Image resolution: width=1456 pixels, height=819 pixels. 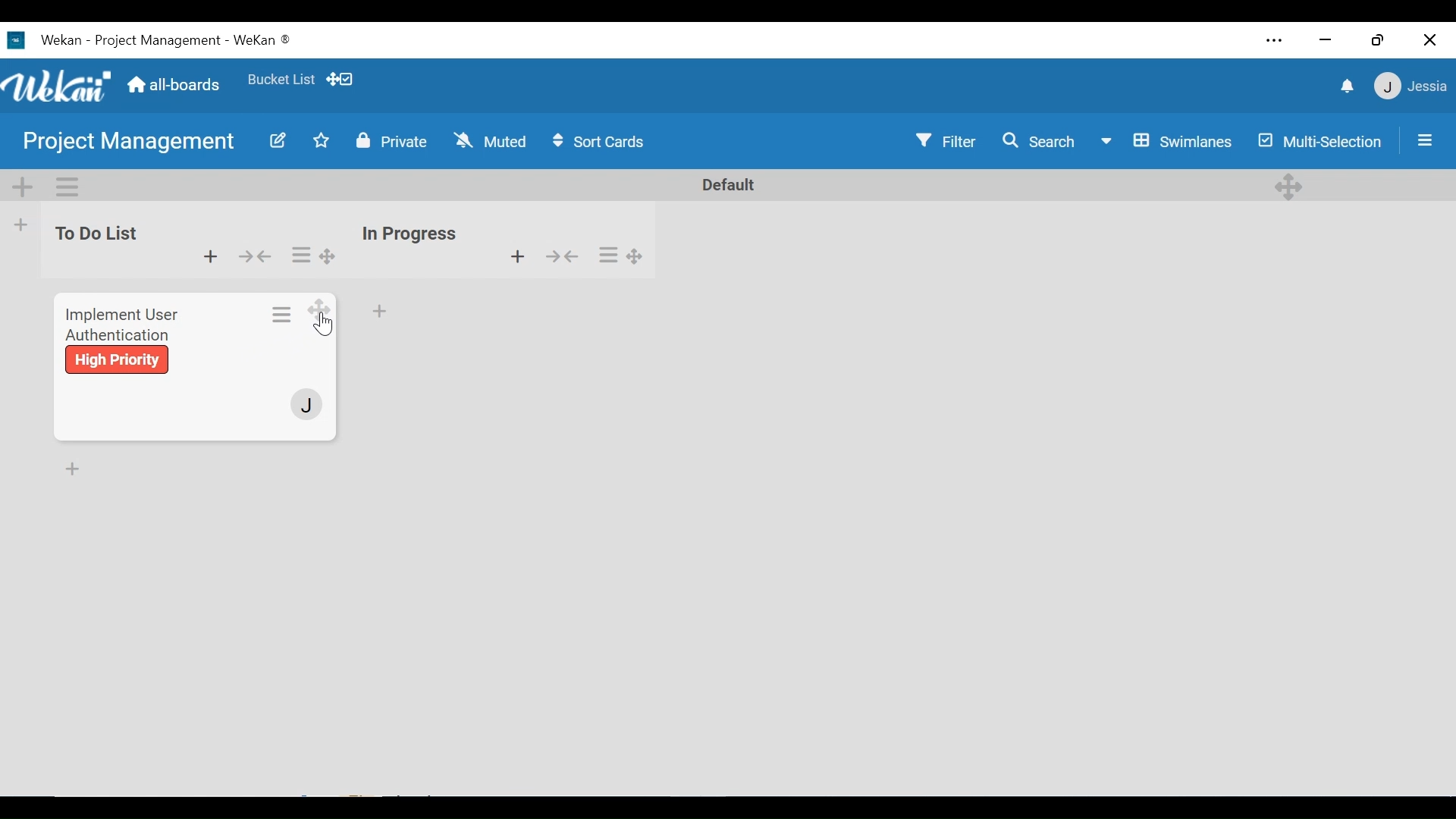 What do you see at coordinates (280, 80) in the screenshot?
I see `Favorites` at bounding box center [280, 80].